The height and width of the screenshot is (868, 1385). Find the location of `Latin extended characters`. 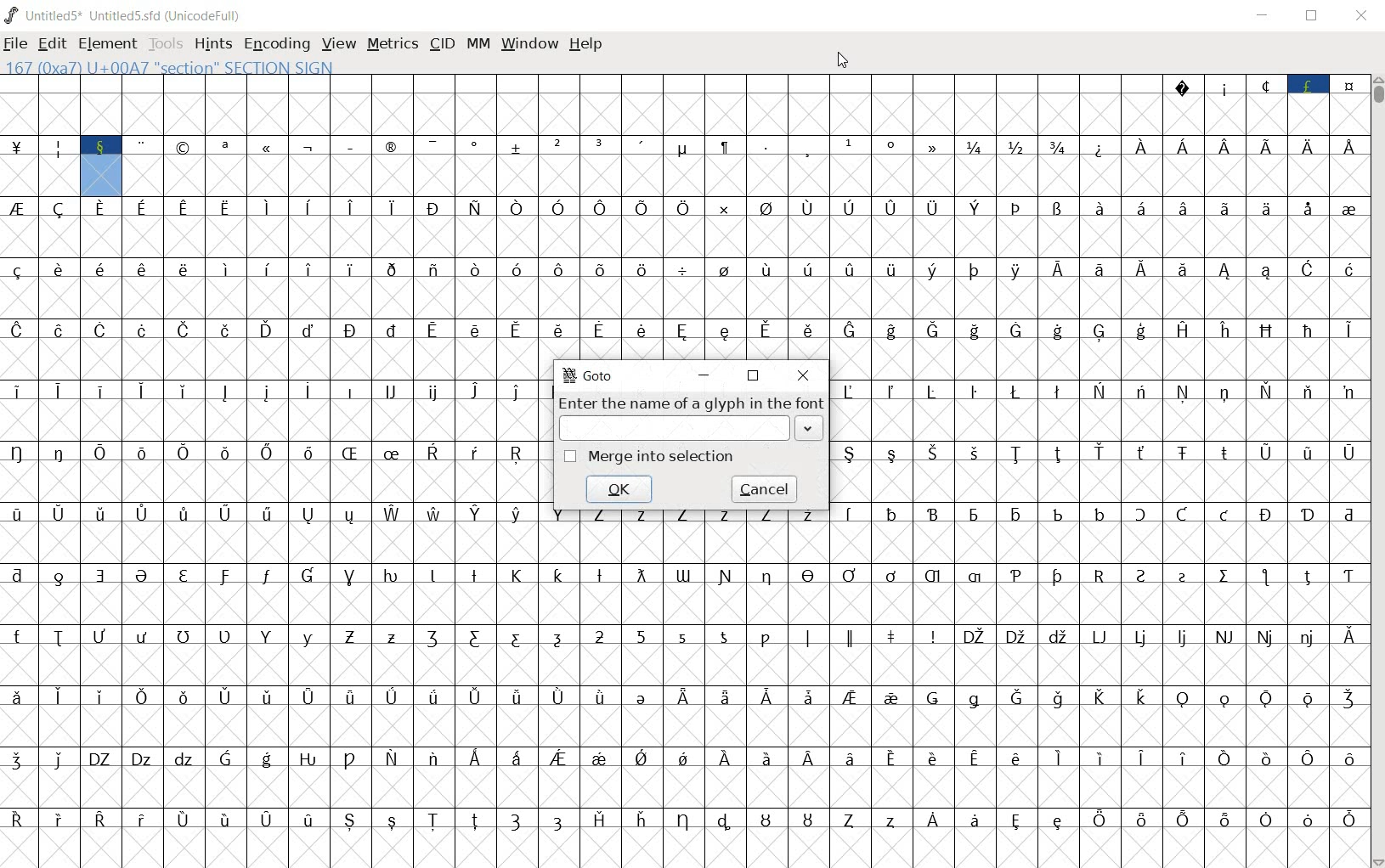

Latin extended characters is located at coordinates (370, 227).